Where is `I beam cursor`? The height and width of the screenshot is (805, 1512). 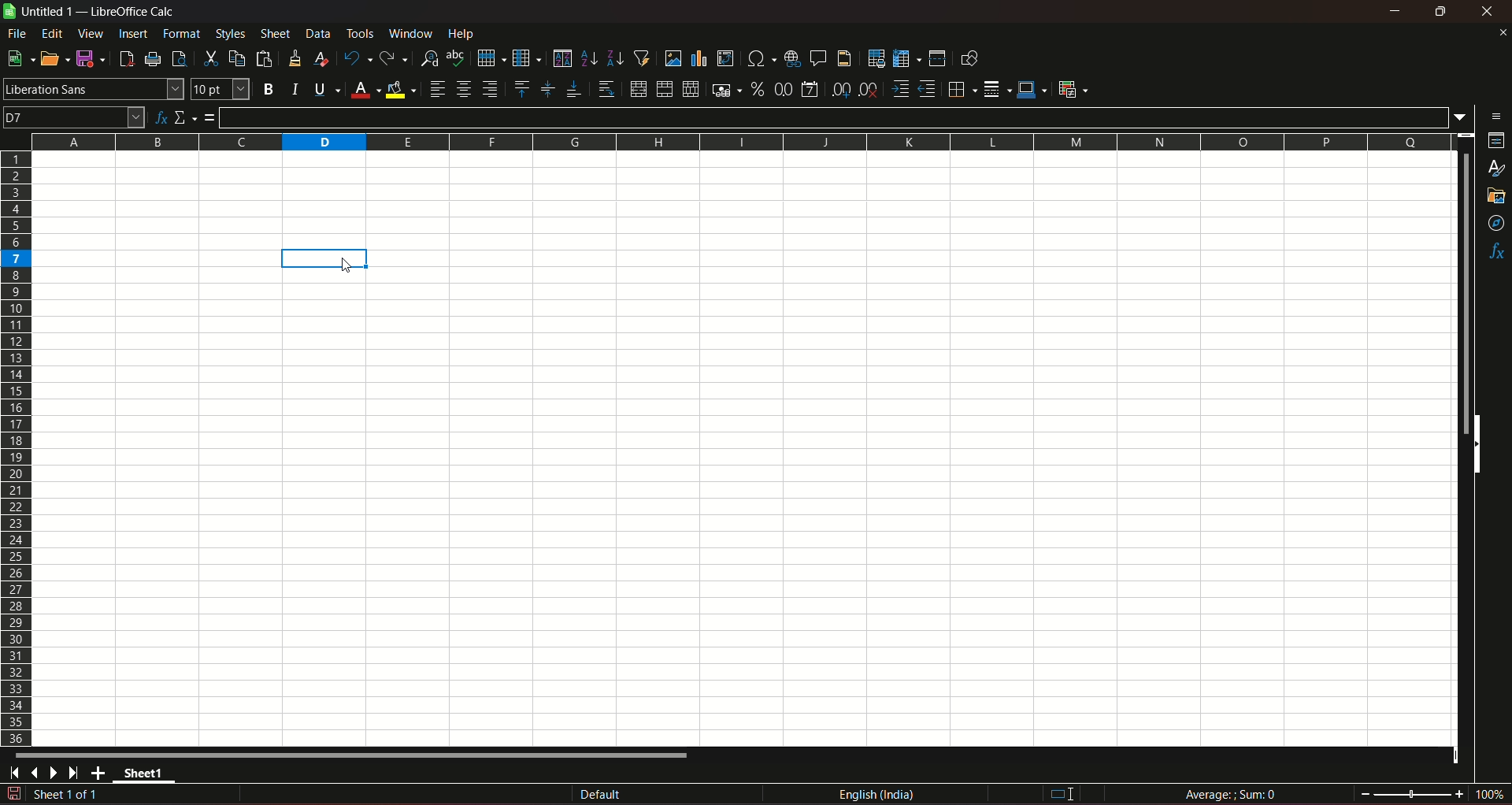
I beam cursor is located at coordinates (1063, 795).